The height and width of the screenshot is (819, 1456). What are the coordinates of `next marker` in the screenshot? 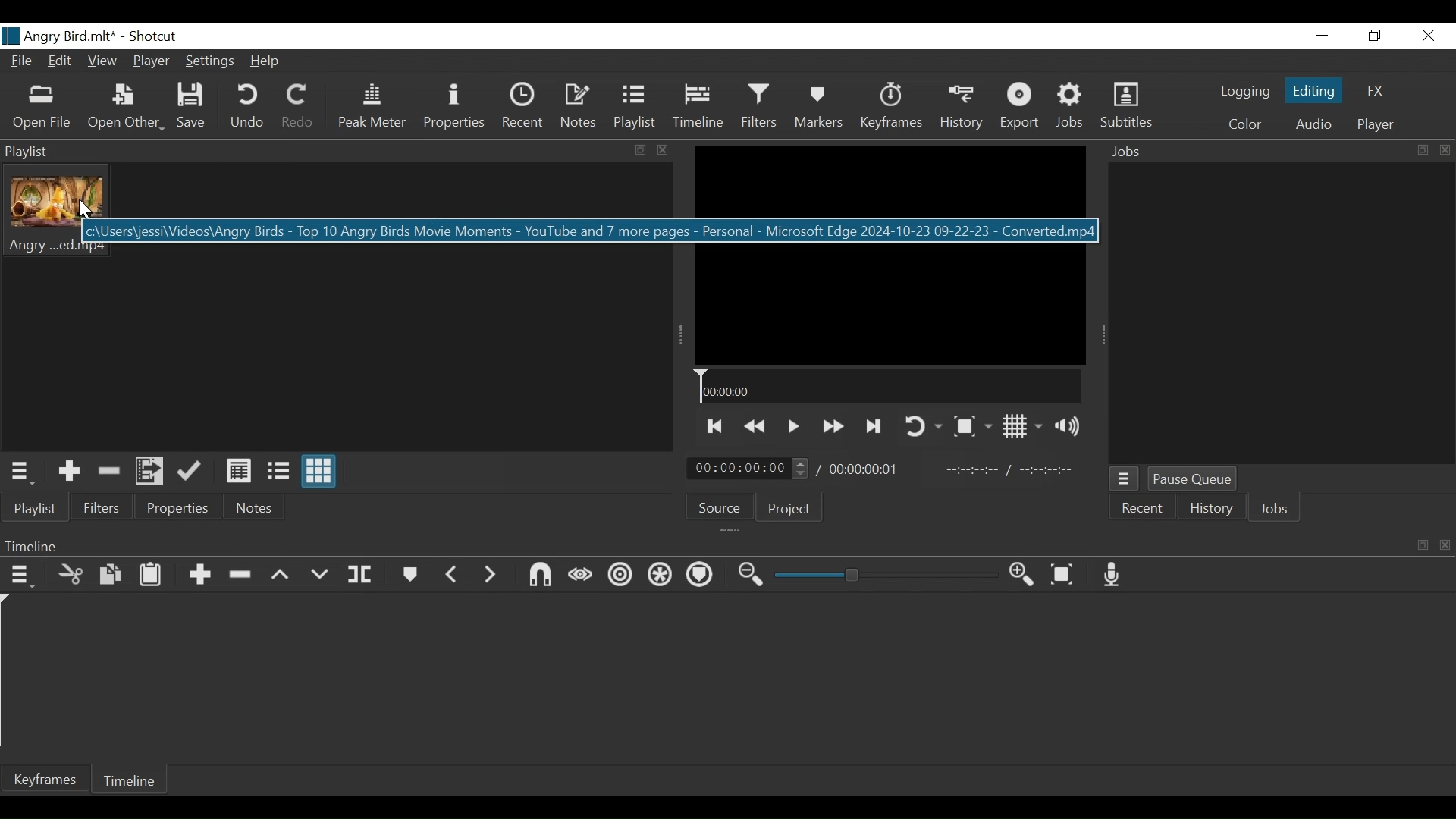 It's located at (490, 574).